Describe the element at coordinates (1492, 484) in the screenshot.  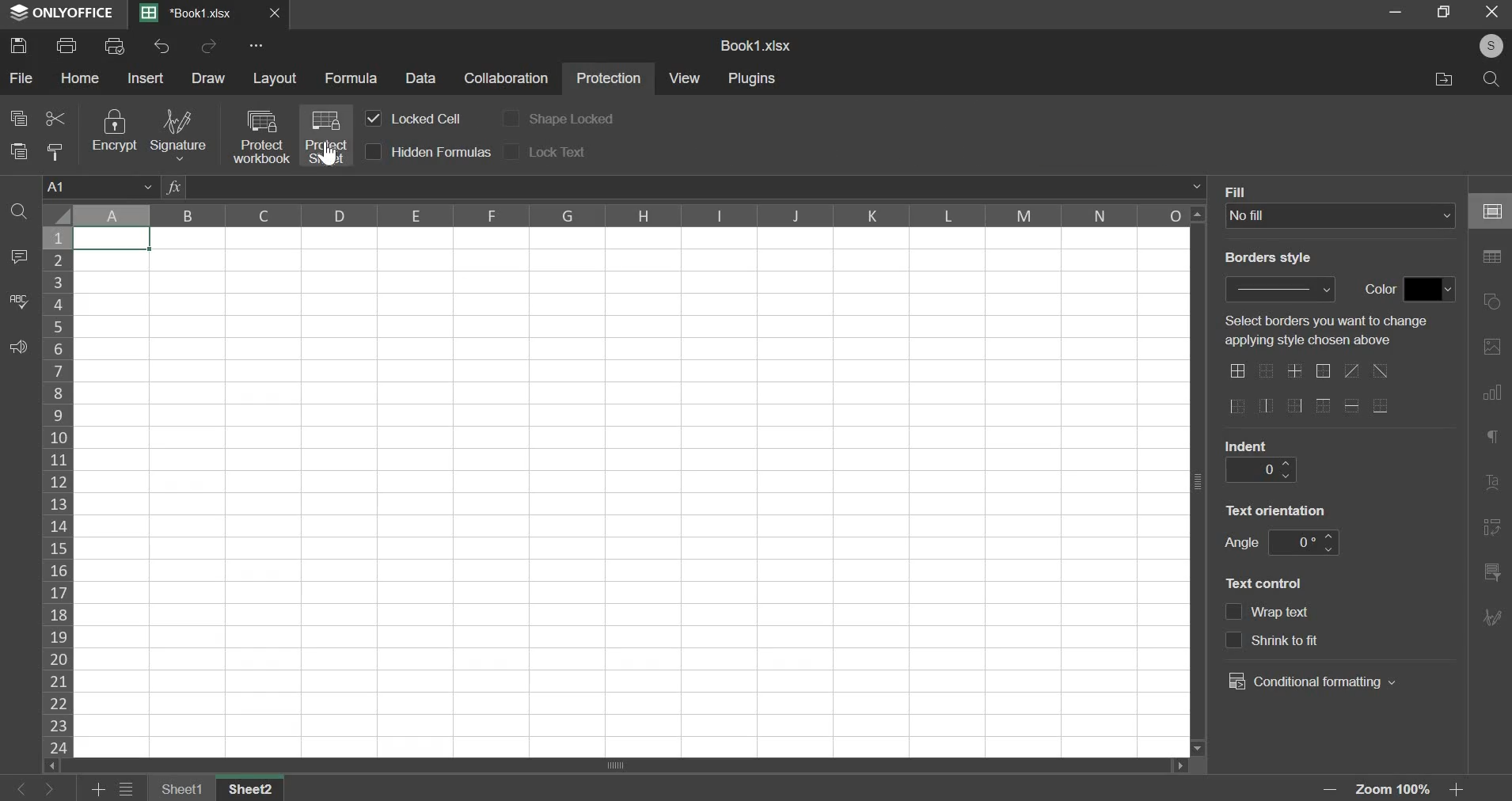
I see `right side bar` at that location.